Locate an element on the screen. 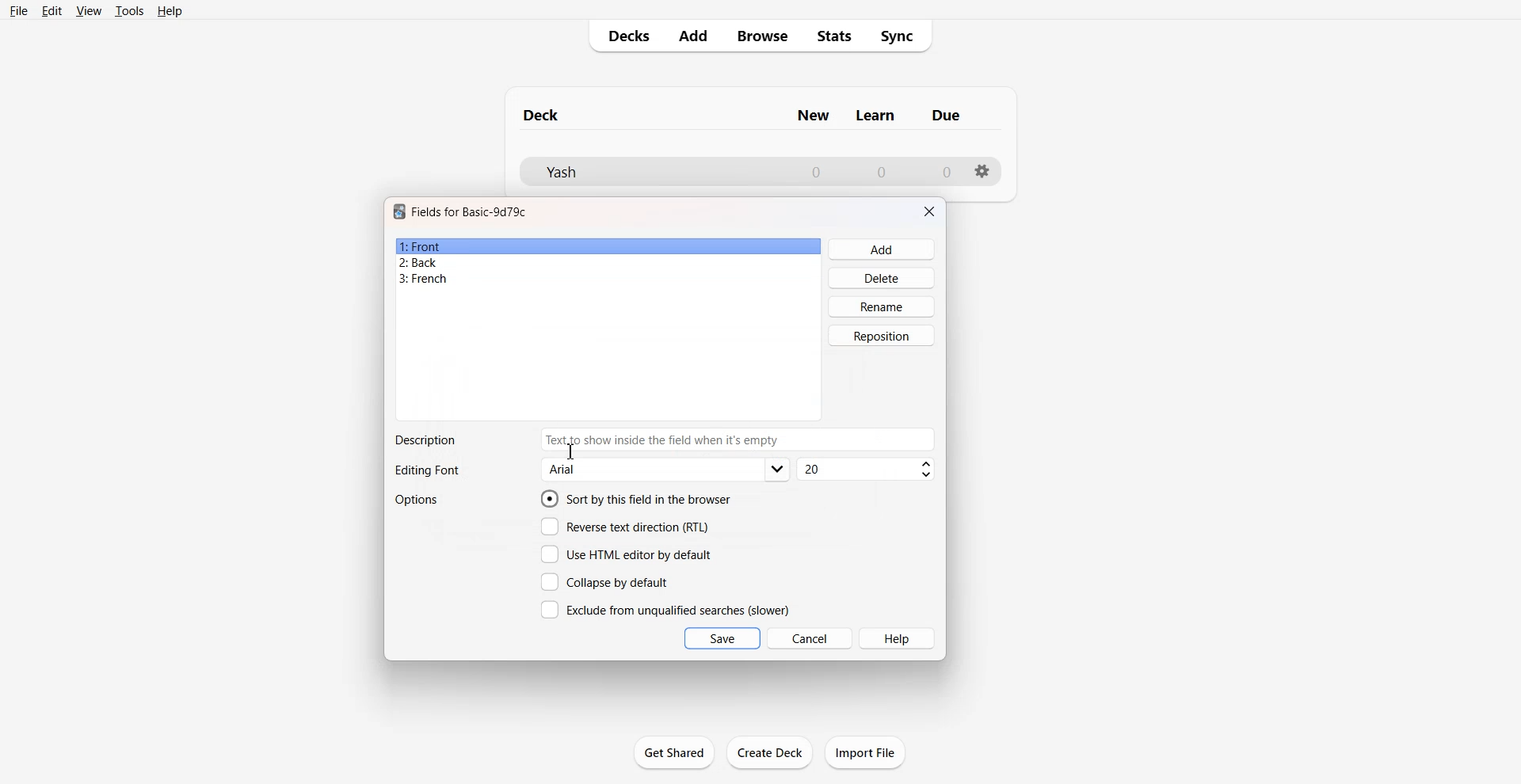 This screenshot has height=784, width=1521. Settings is located at coordinates (983, 171).